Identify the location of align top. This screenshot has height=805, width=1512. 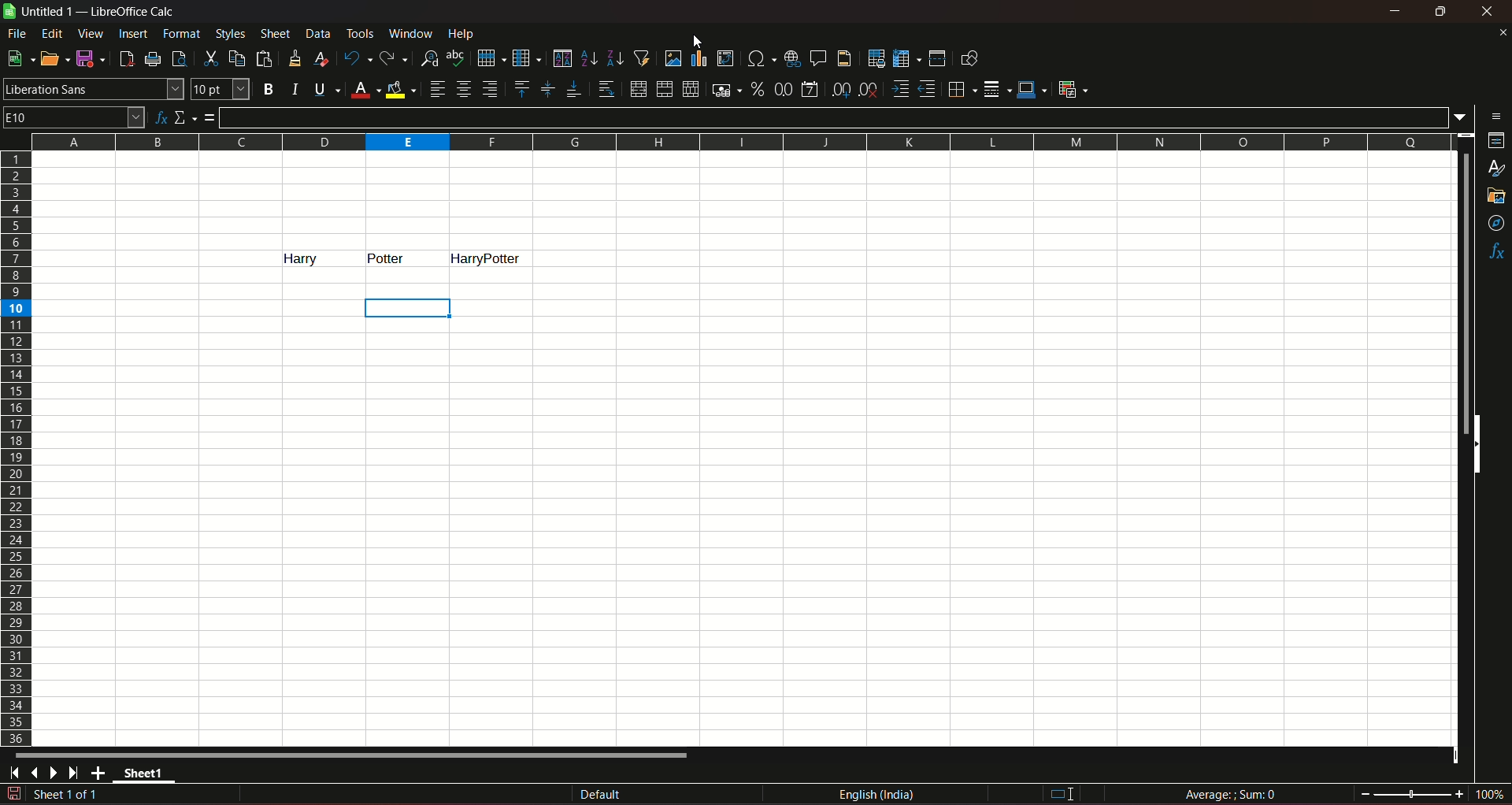
(521, 88).